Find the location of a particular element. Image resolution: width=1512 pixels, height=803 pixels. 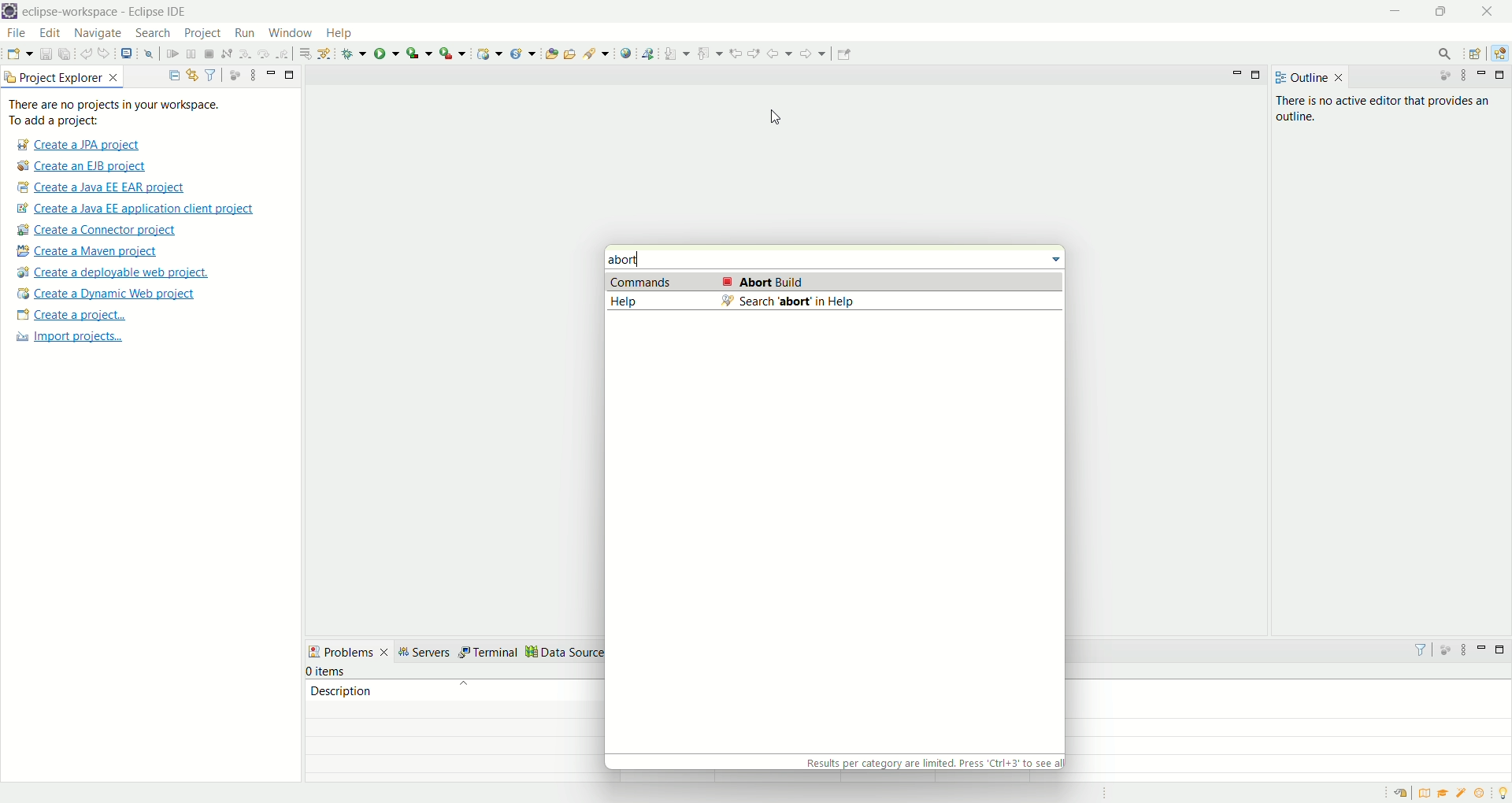

create a JPA project is located at coordinates (80, 146).